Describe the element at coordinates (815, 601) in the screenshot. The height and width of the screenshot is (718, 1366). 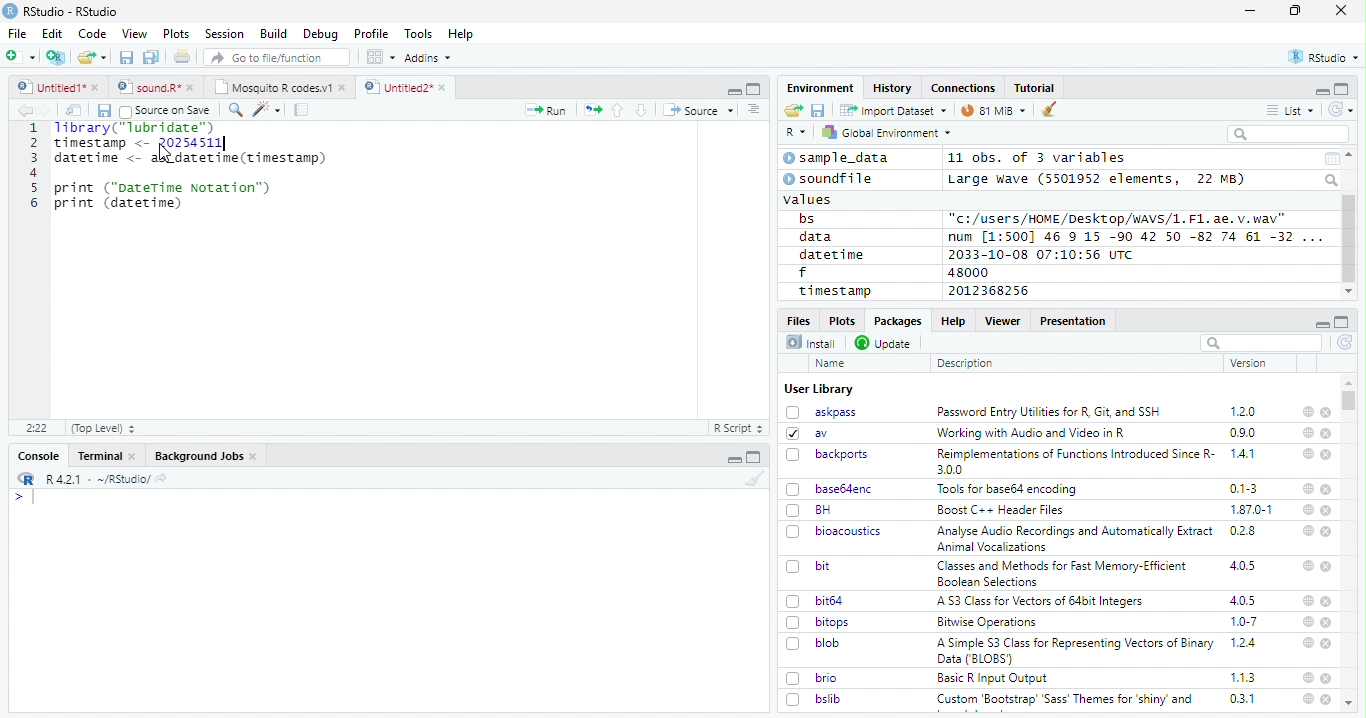
I see `bit64` at that location.